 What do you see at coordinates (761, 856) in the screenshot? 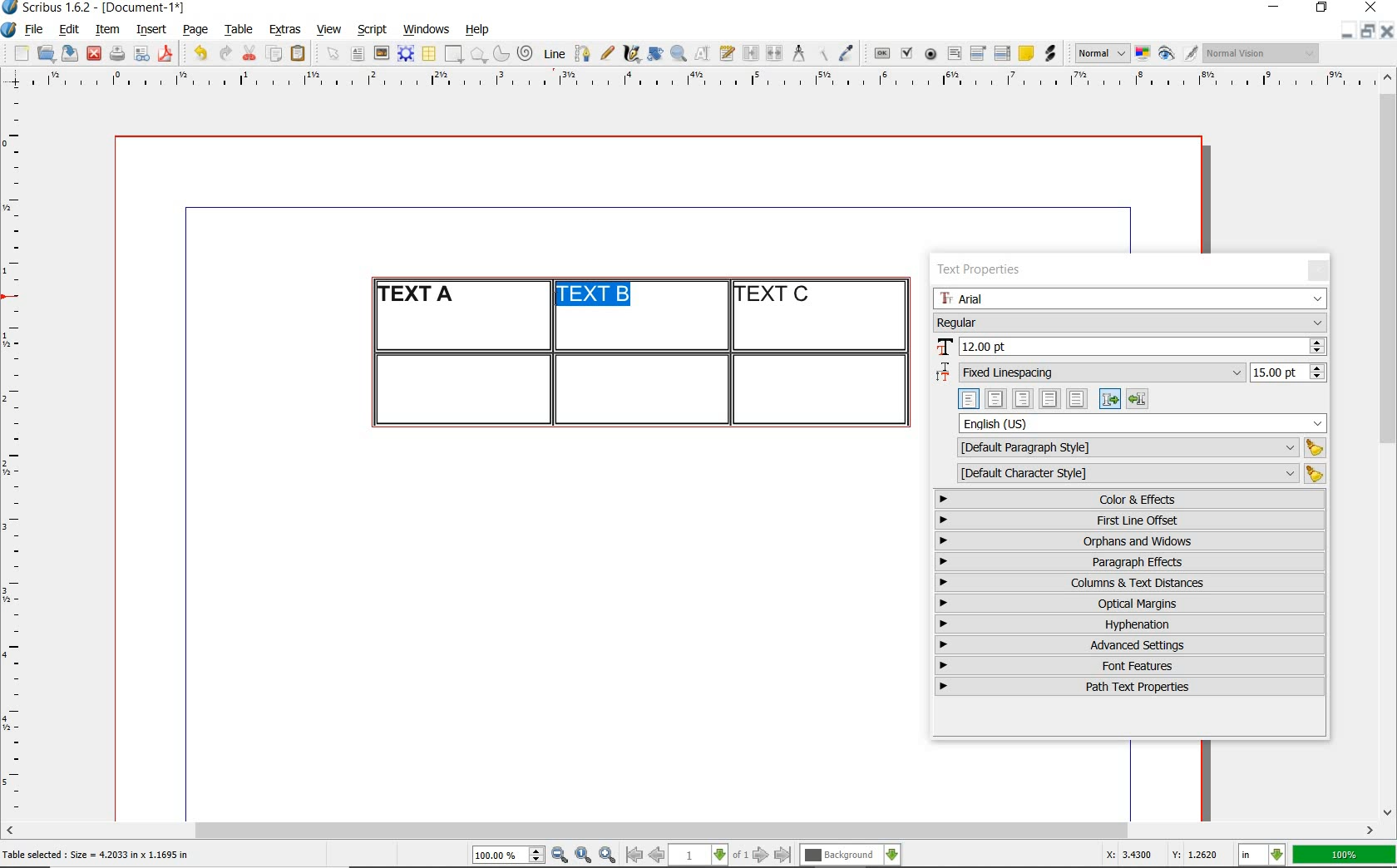
I see `go to next page` at bounding box center [761, 856].